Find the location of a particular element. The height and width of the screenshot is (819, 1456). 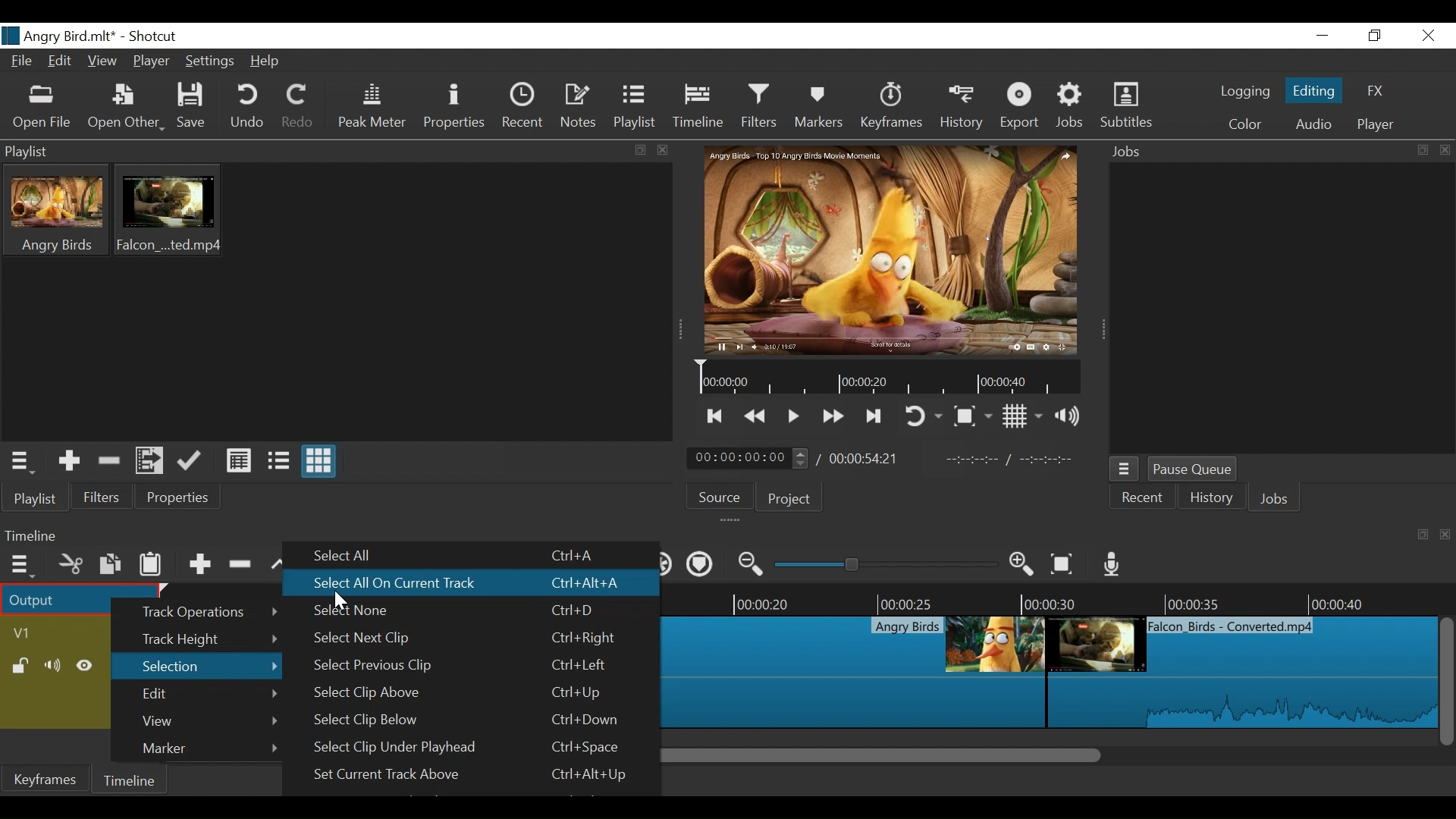

View as icon is located at coordinates (318, 462).